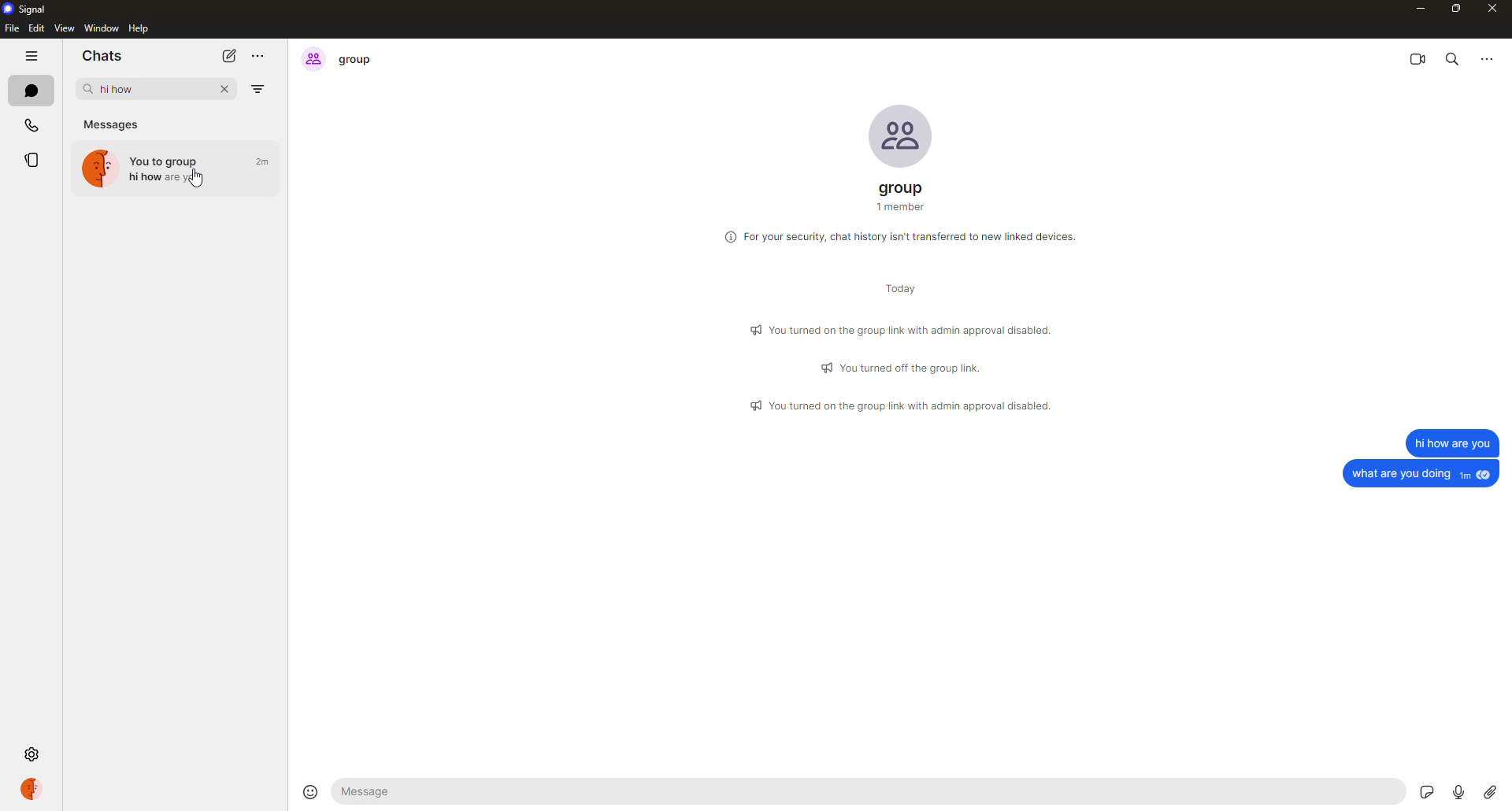 This screenshot has height=811, width=1512. Describe the element at coordinates (113, 87) in the screenshot. I see `hi how` at that location.